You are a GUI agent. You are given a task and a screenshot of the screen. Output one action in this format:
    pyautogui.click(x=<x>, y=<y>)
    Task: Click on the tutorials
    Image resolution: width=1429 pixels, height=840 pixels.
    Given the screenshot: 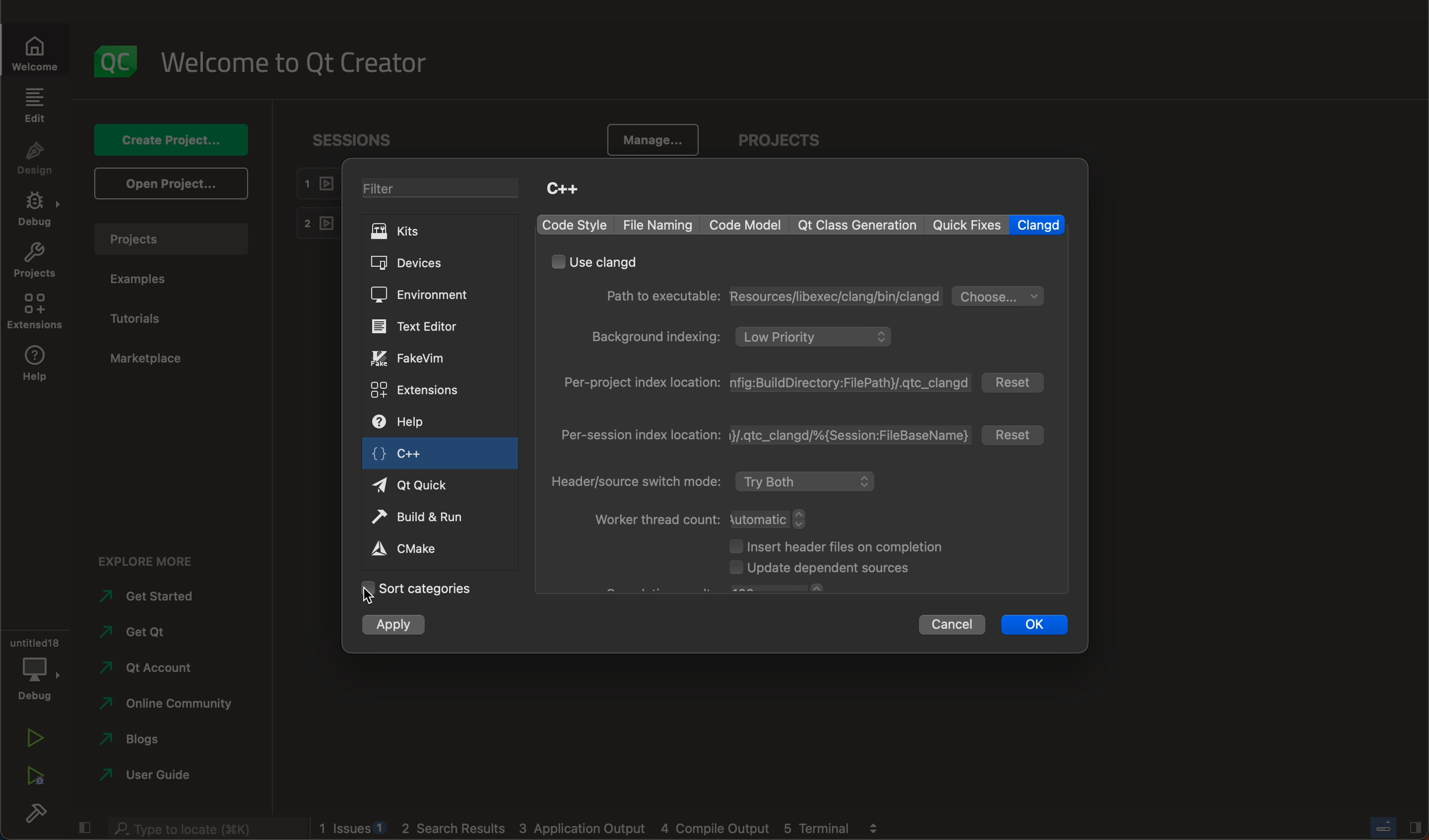 What is the action you would take?
    pyautogui.click(x=155, y=317)
    